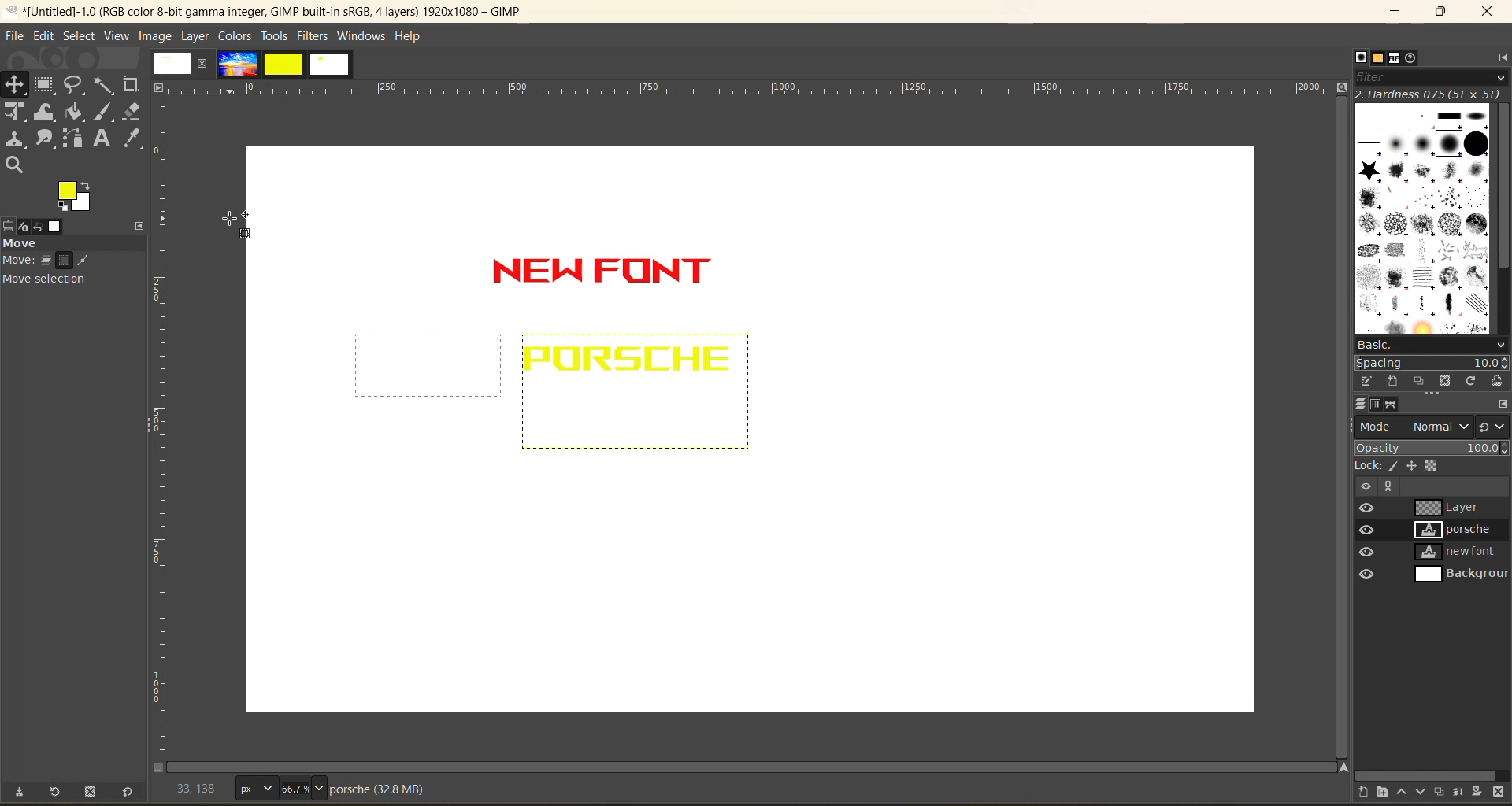  What do you see at coordinates (1503, 403) in the screenshot?
I see `configure` at bounding box center [1503, 403].